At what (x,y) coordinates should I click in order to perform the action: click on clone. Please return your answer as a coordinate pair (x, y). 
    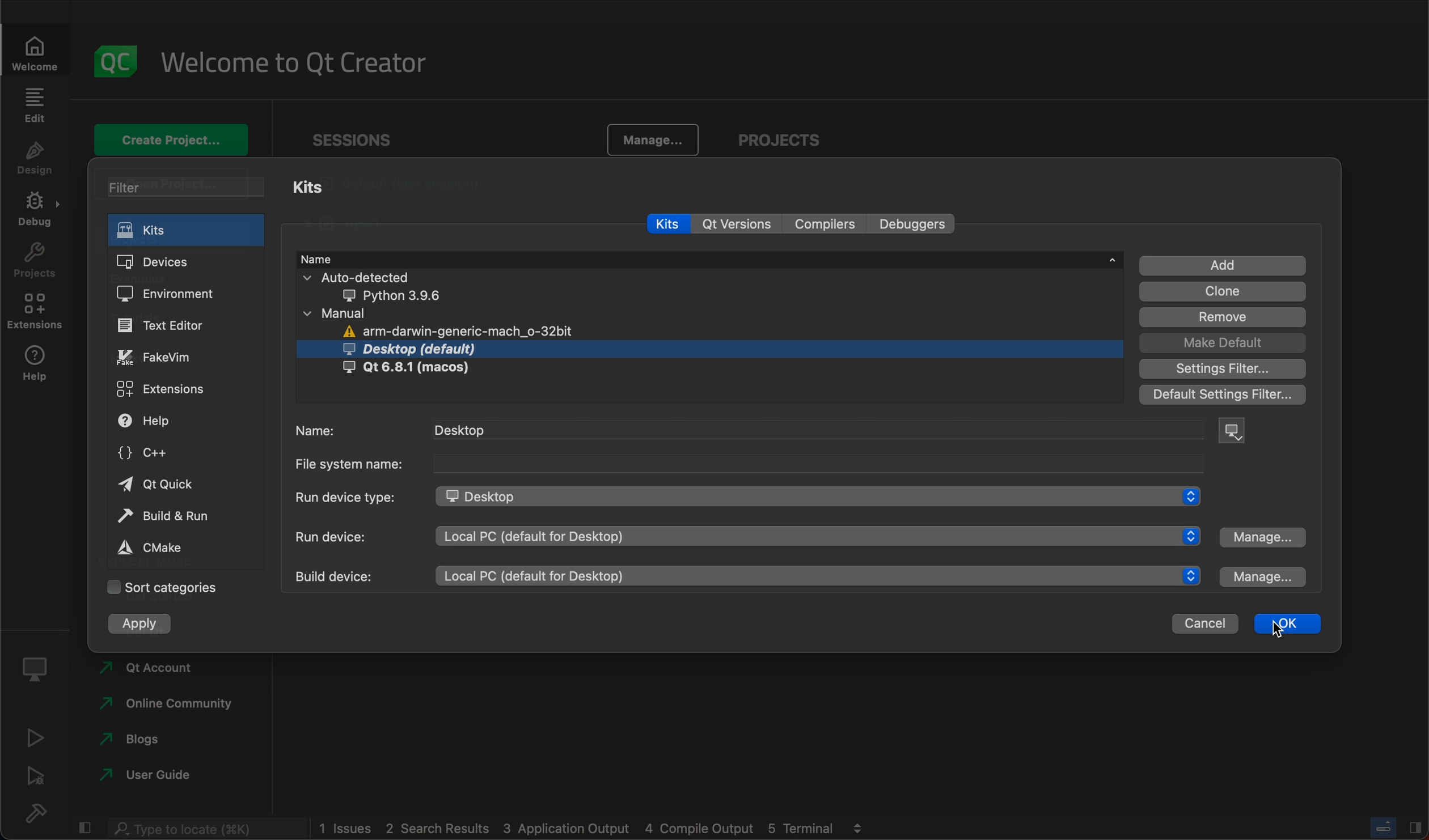
    Looking at the image, I should click on (1223, 293).